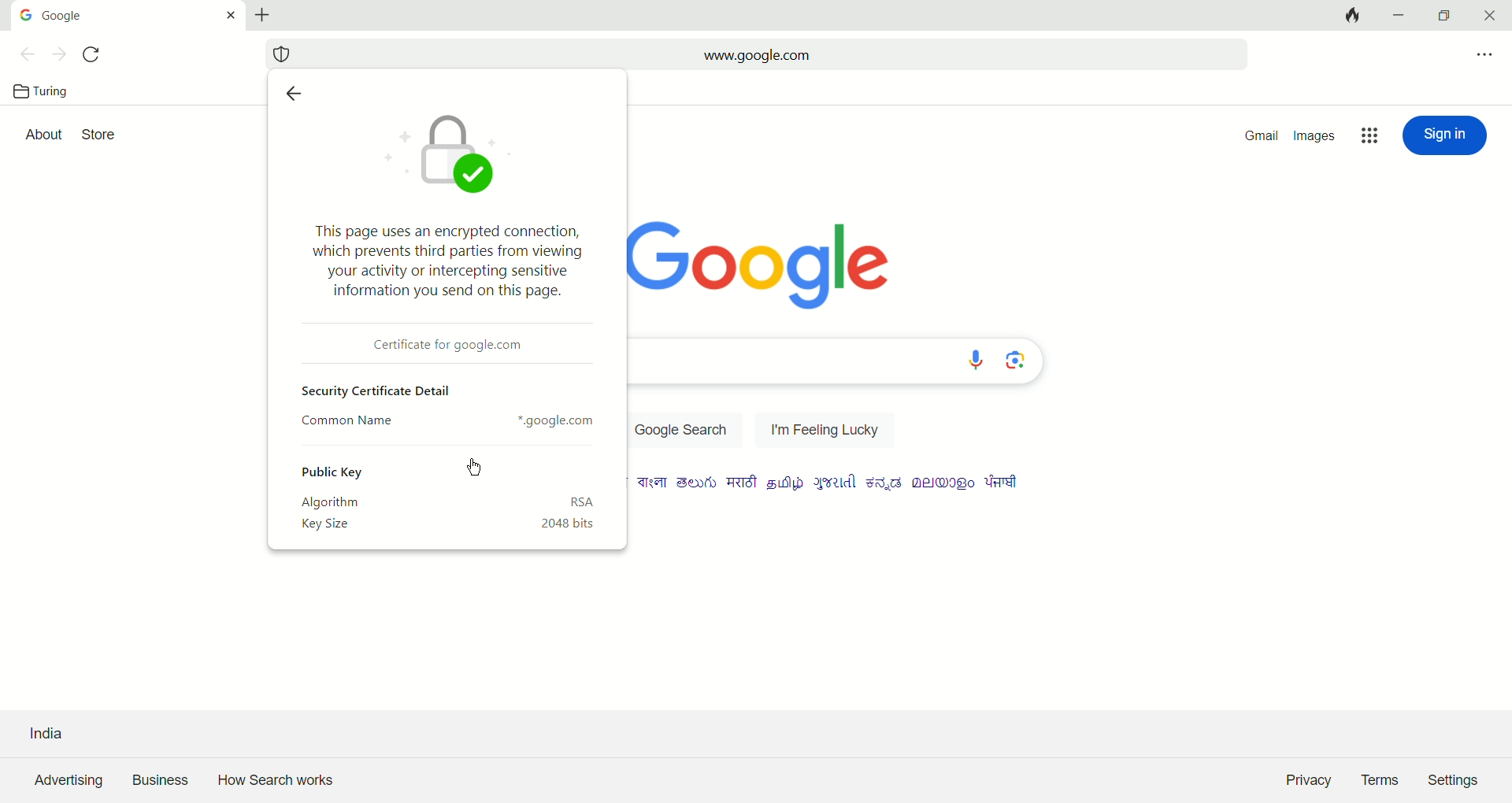 The height and width of the screenshot is (803, 1512). I want to click on Google Search, so click(685, 430).